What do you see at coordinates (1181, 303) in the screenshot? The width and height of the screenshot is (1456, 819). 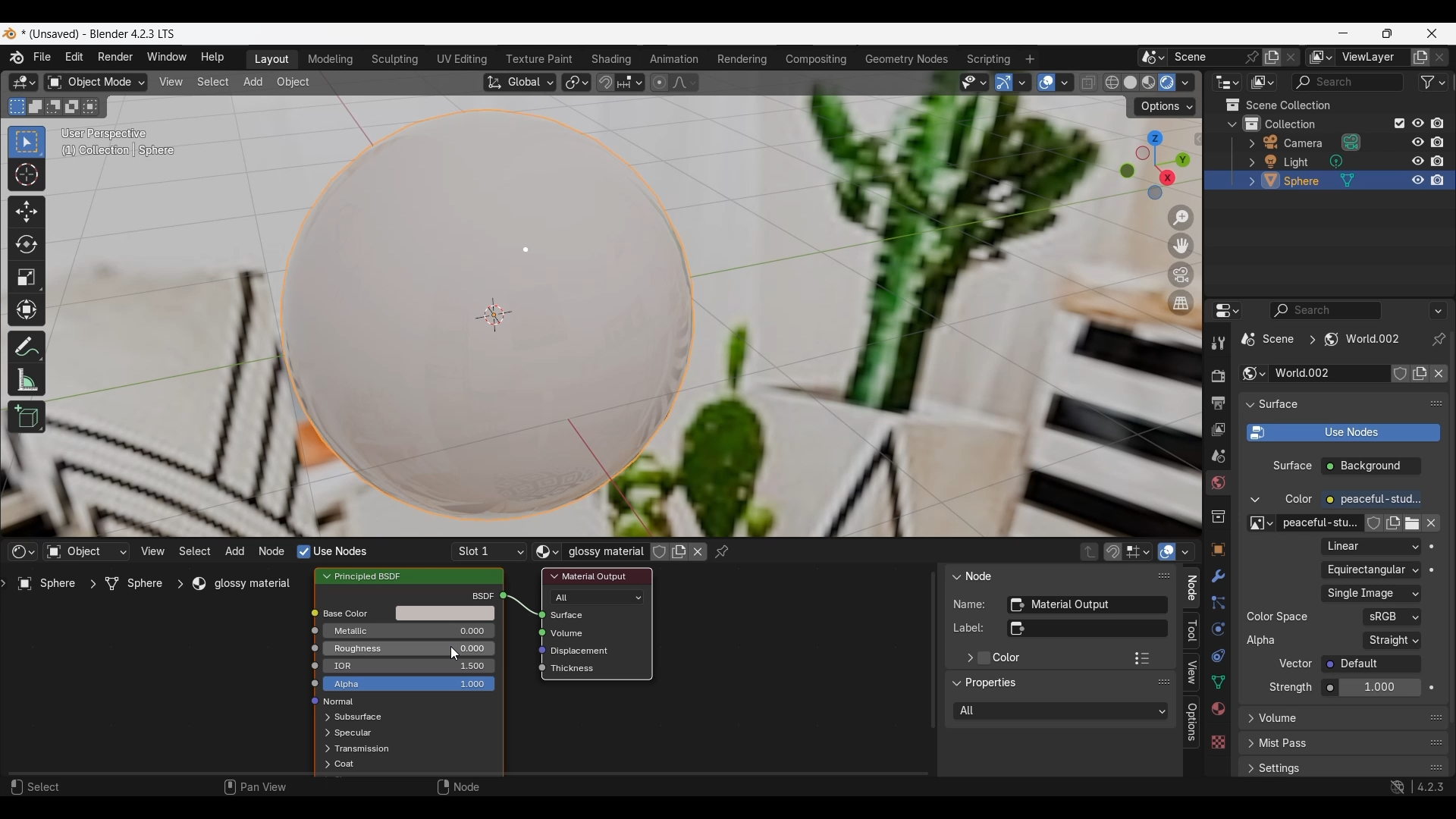 I see `Switch the current view from perspective/orthographic projection` at bounding box center [1181, 303].